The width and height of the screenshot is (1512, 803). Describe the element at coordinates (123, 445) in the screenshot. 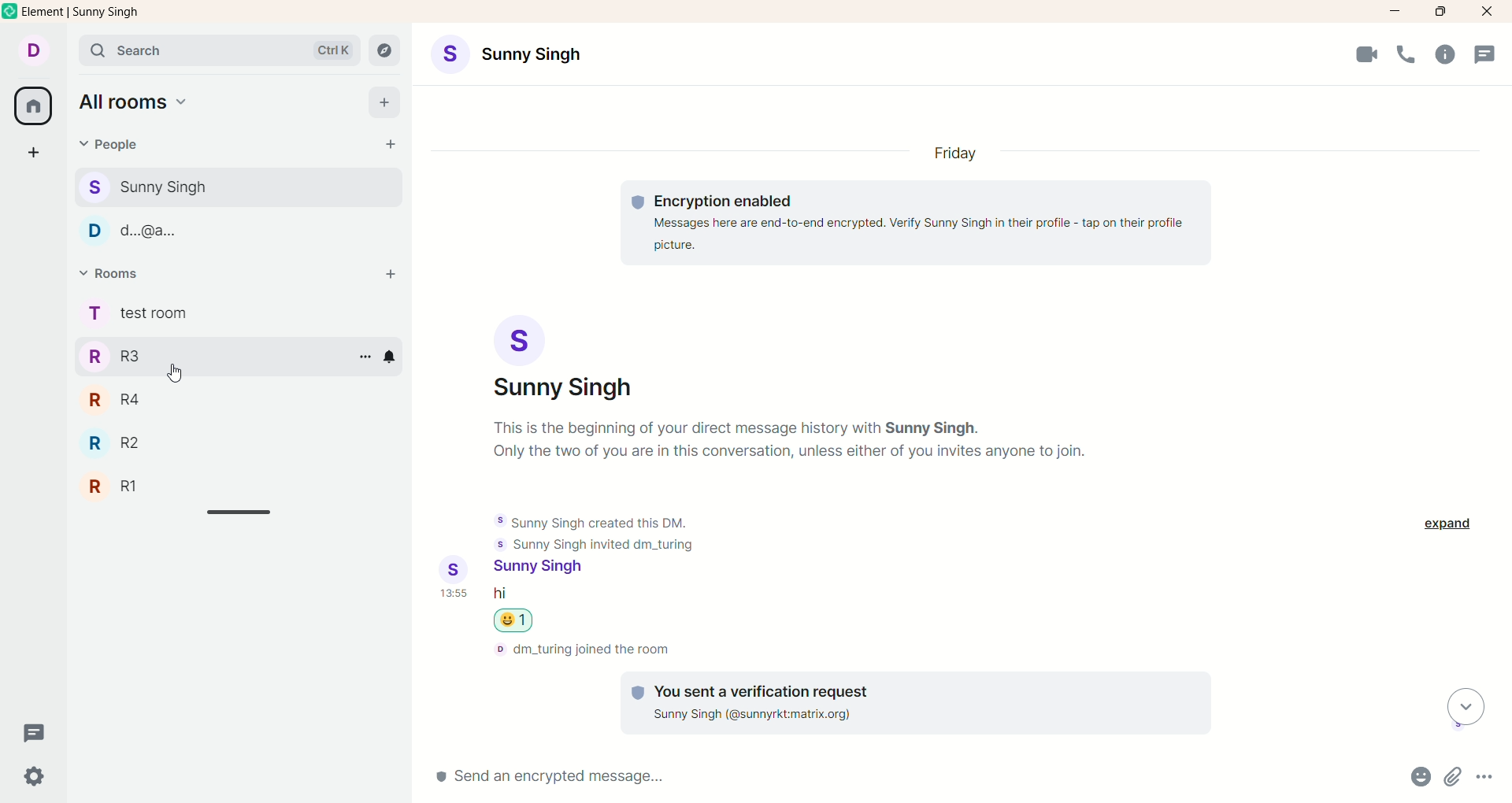

I see `42` at that location.